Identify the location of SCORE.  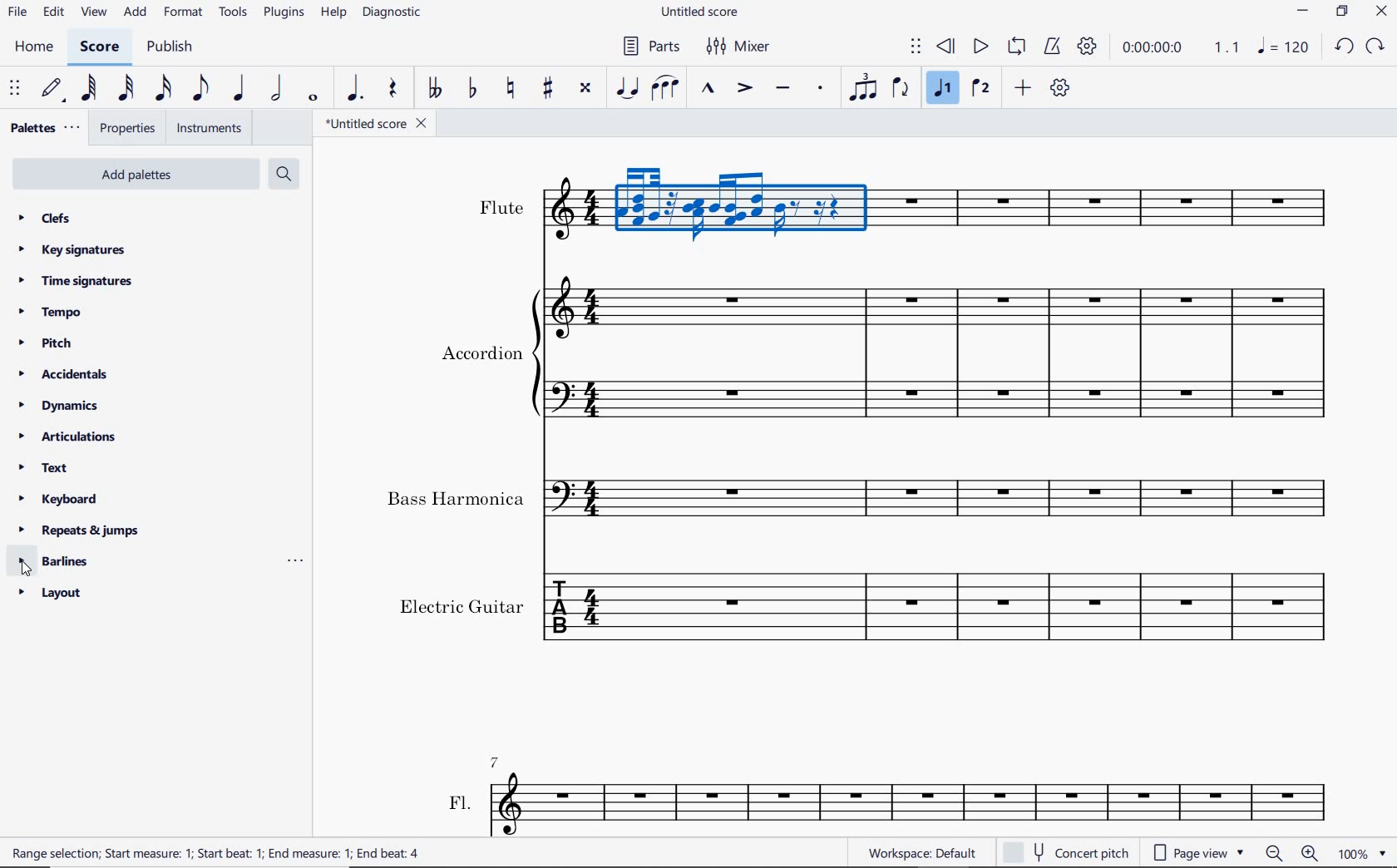
(97, 50).